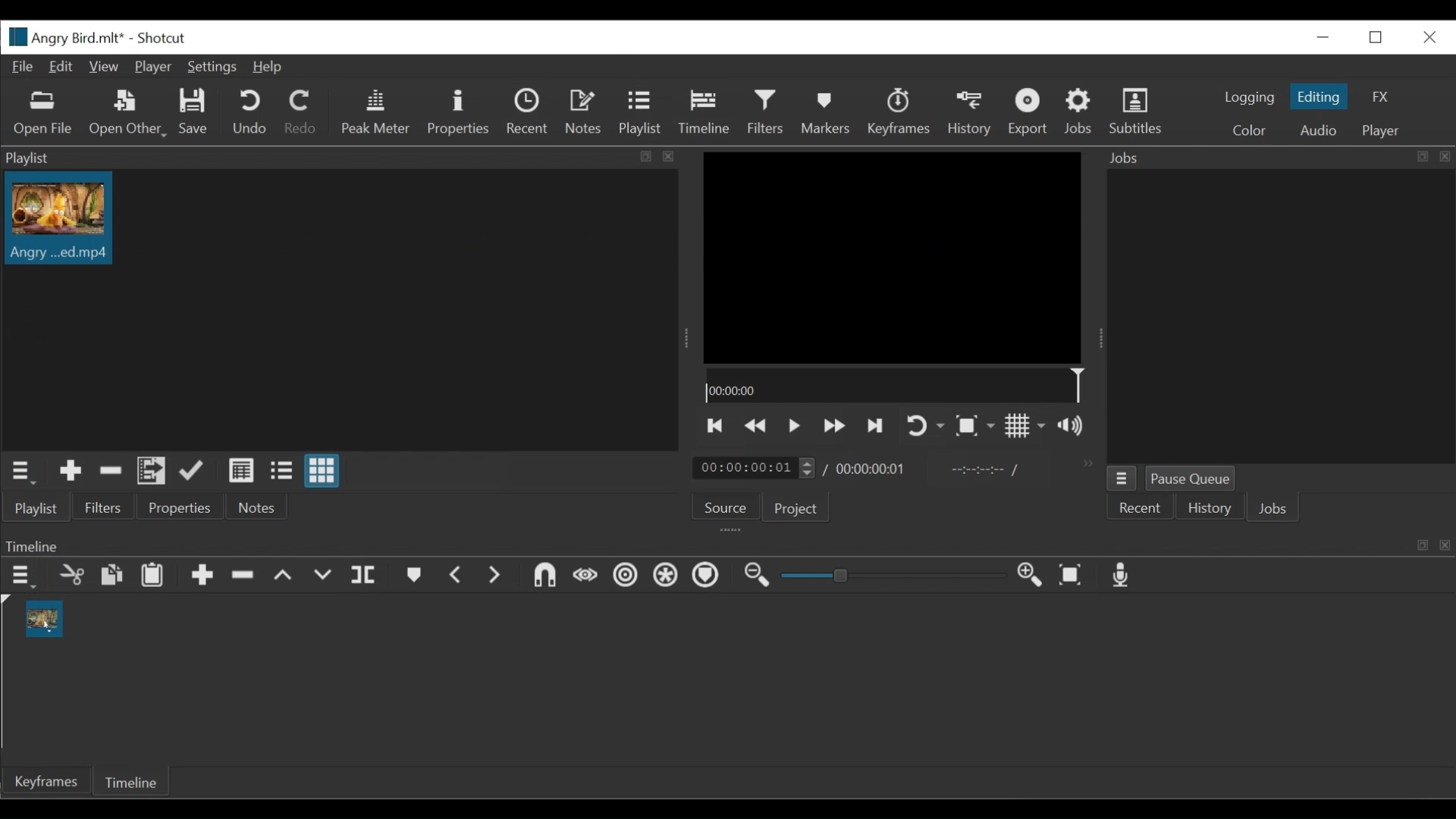 This screenshot has height=819, width=1456. What do you see at coordinates (1427, 36) in the screenshot?
I see `Close` at bounding box center [1427, 36].